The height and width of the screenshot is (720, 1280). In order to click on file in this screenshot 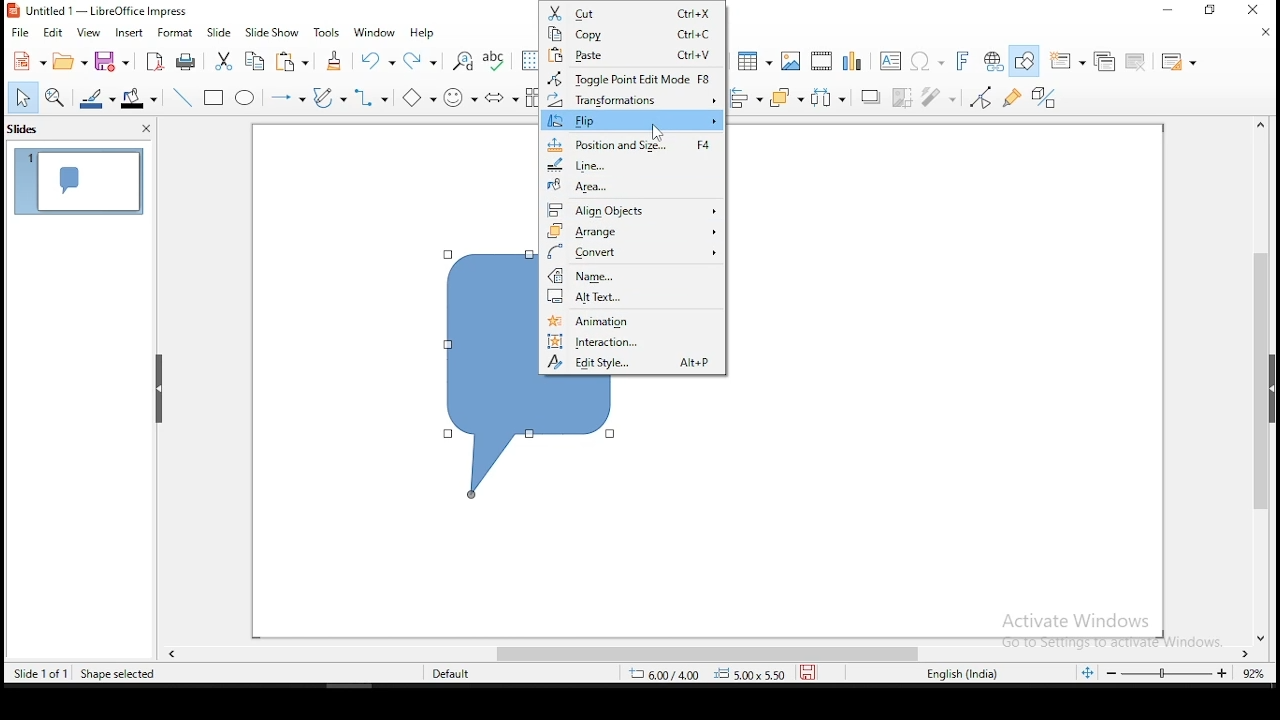, I will do `click(19, 32)`.